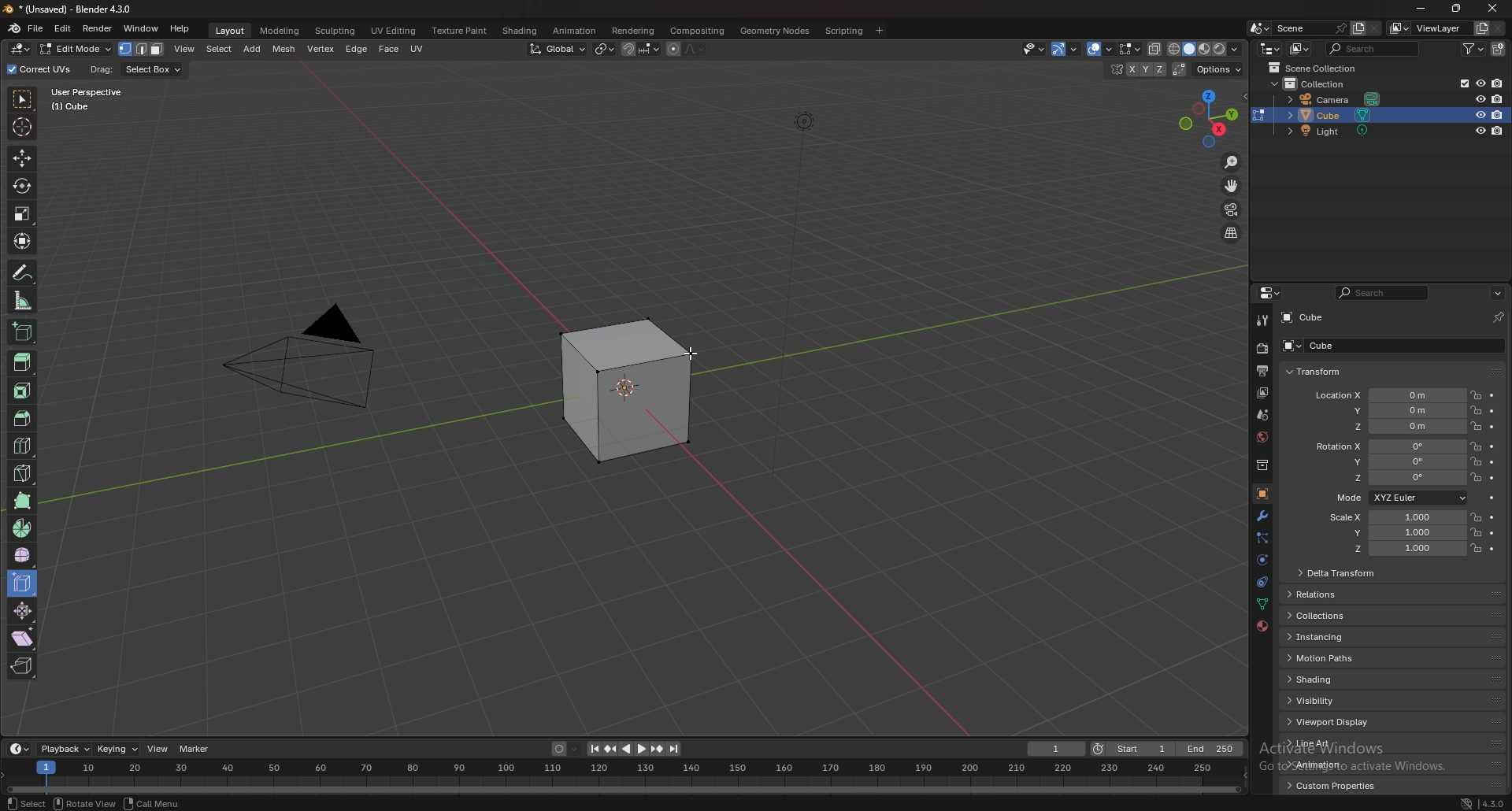 The image size is (1512, 811). What do you see at coordinates (1211, 749) in the screenshot?
I see `end frame` at bounding box center [1211, 749].